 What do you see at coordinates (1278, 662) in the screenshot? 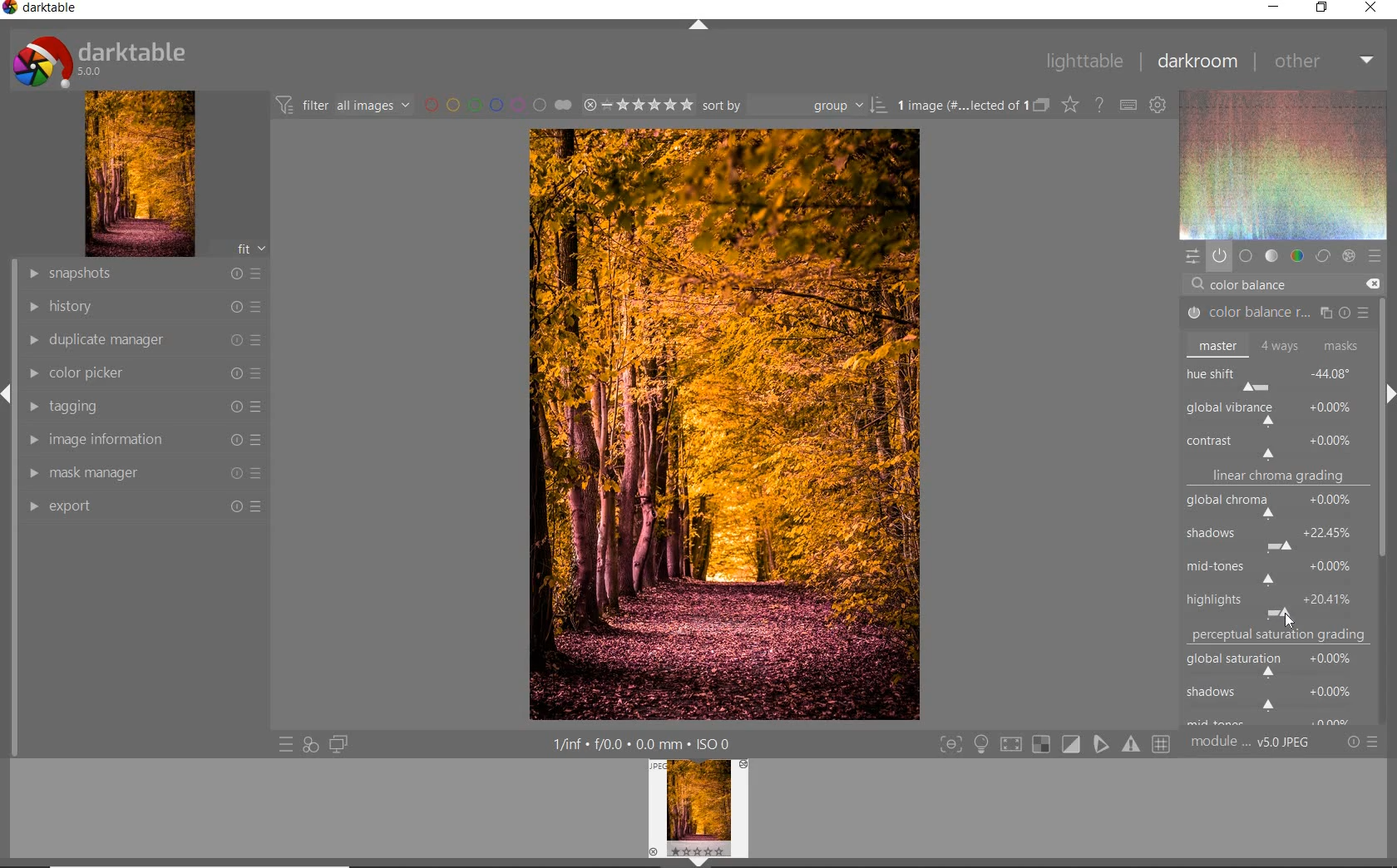
I see `global saturation` at bounding box center [1278, 662].